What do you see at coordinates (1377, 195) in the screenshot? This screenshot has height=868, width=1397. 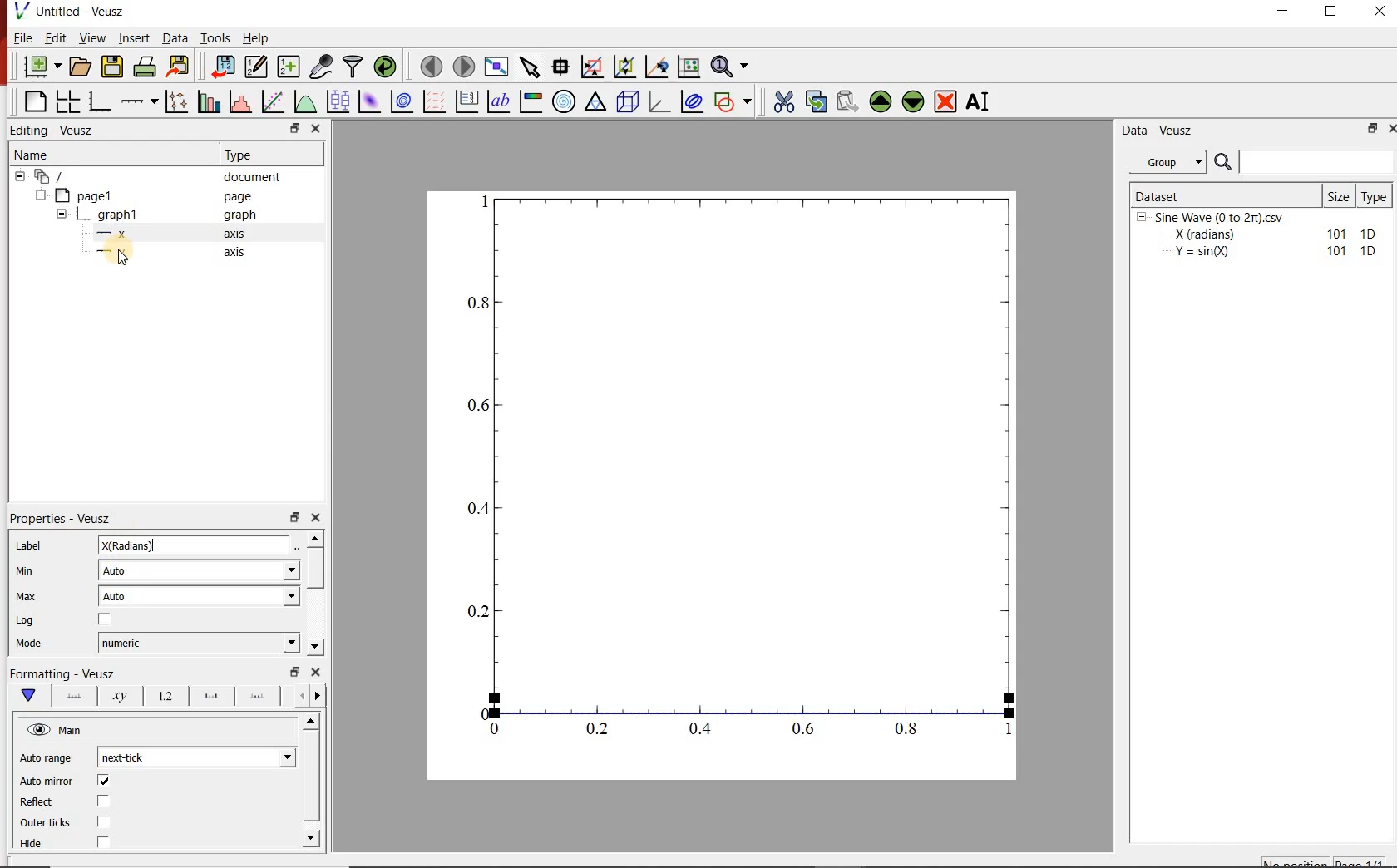 I see `Type` at bounding box center [1377, 195].